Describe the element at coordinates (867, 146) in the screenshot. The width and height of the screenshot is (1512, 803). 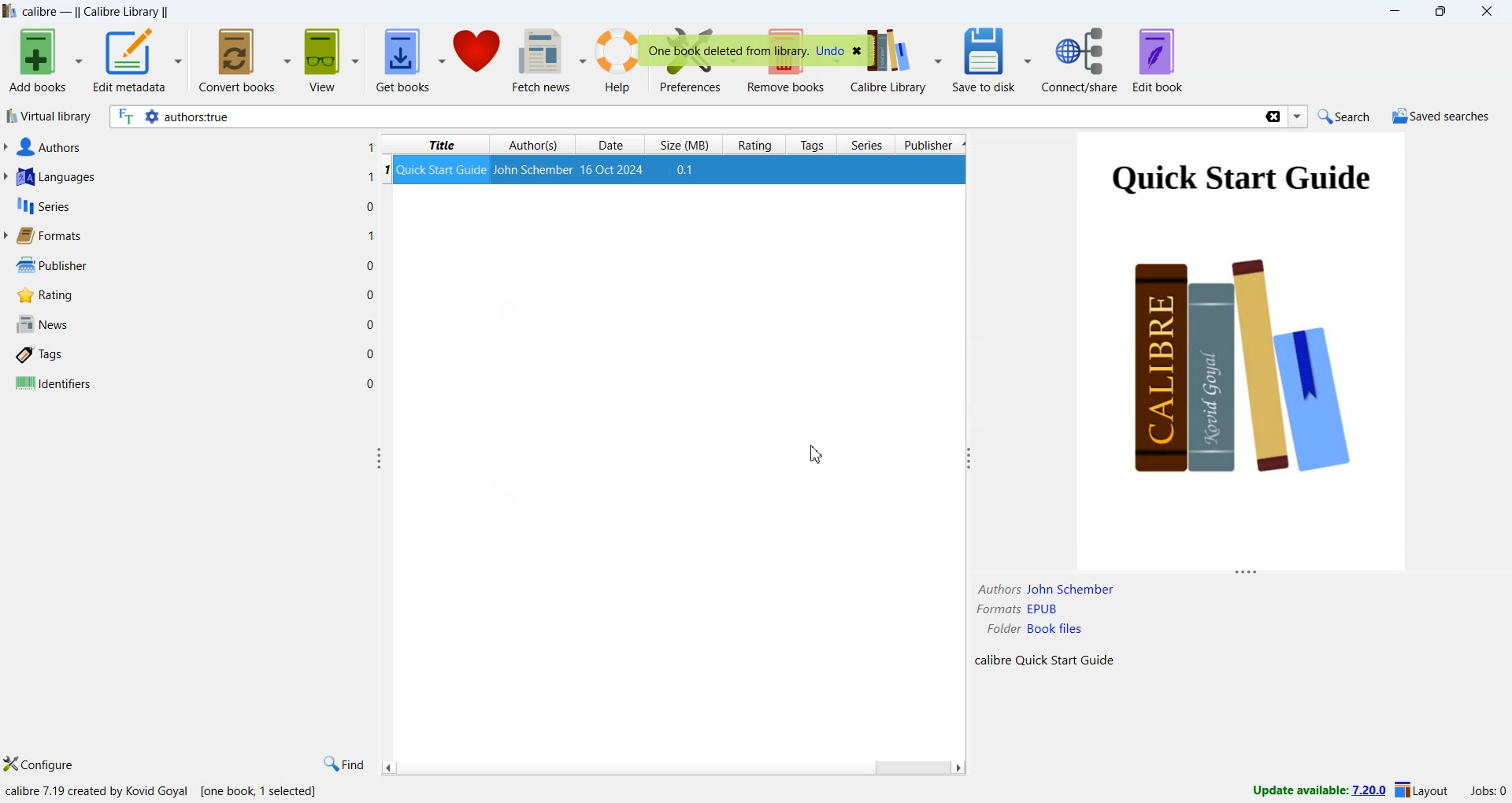
I see `series` at that location.